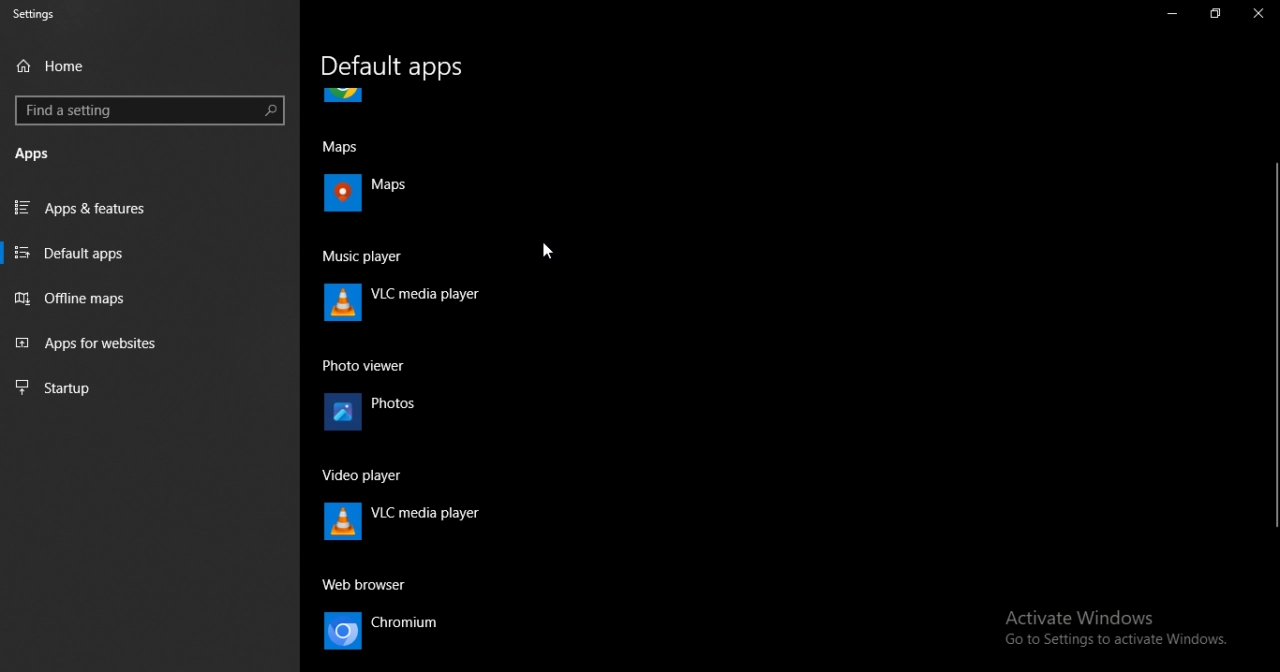 The width and height of the screenshot is (1280, 672). What do you see at coordinates (146, 345) in the screenshot?
I see `apps for websites` at bounding box center [146, 345].